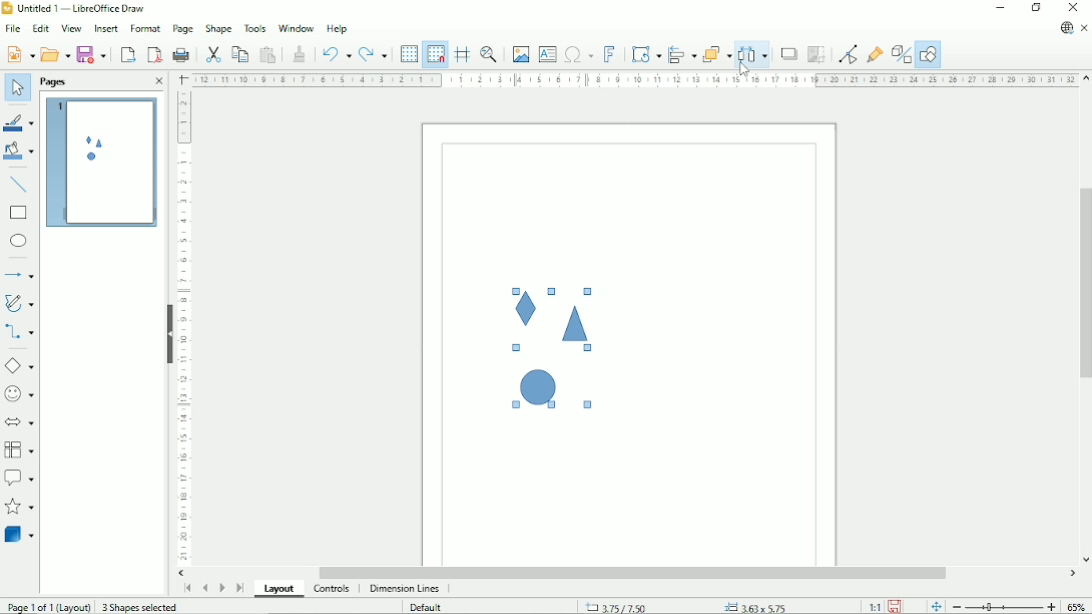  I want to click on Restore down, so click(1036, 8).